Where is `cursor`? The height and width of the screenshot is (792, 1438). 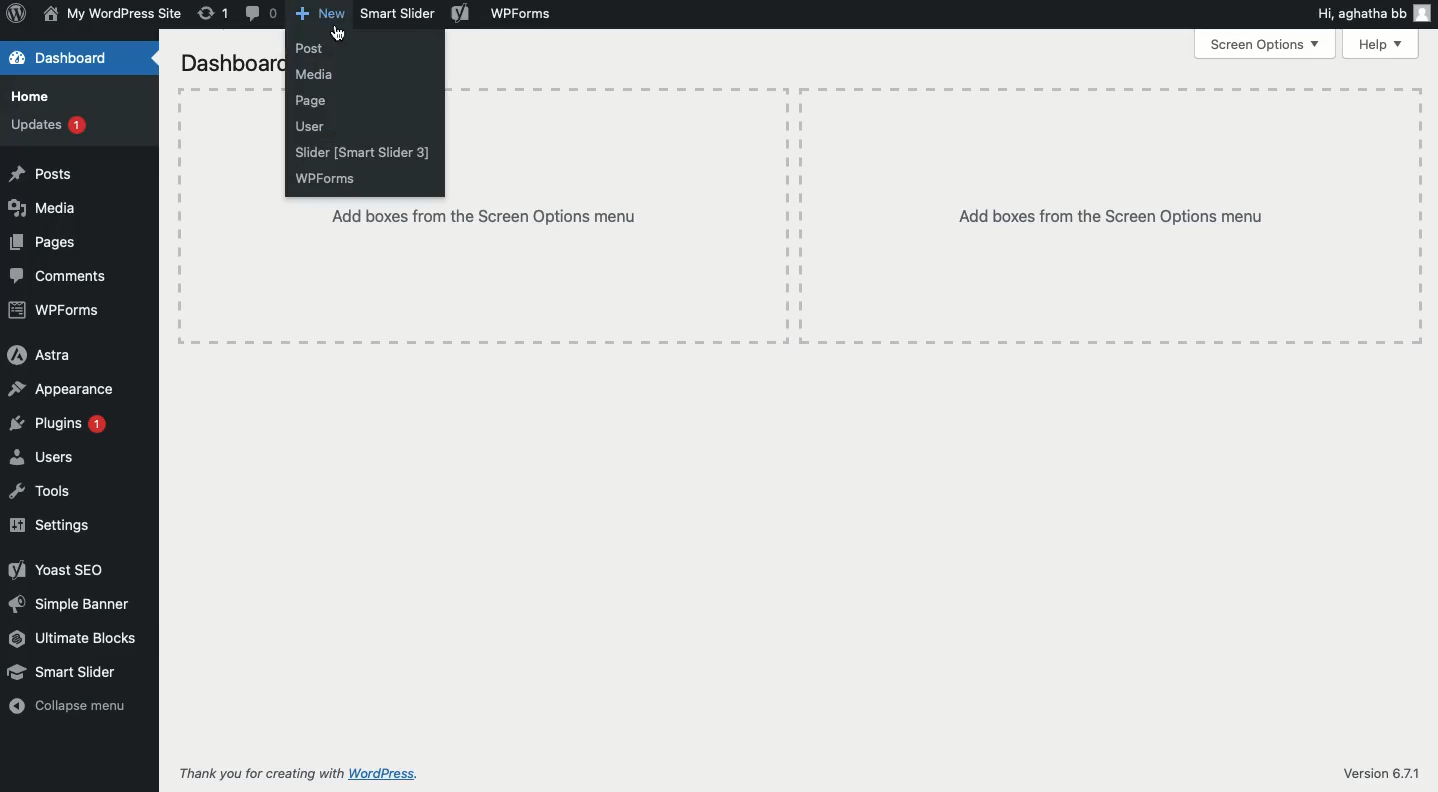 cursor is located at coordinates (343, 35).